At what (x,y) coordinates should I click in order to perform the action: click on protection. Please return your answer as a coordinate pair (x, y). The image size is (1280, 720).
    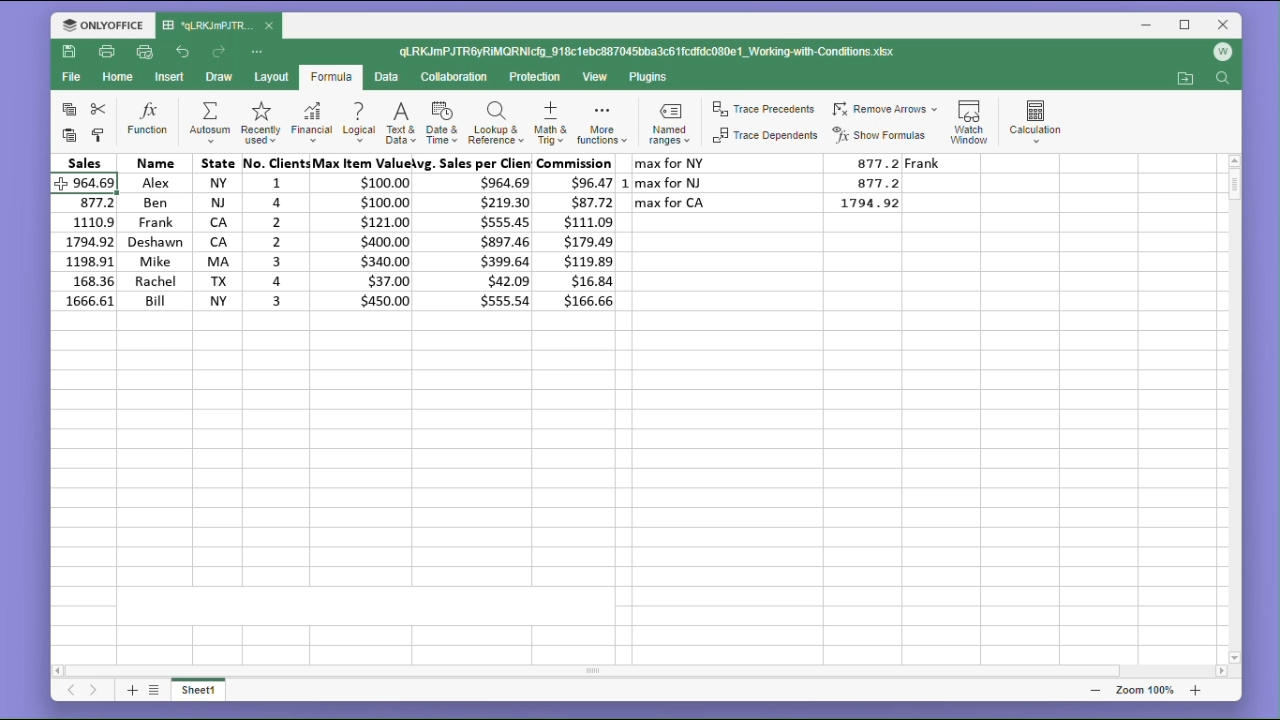
    Looking at the image, I should click on (537, 77).